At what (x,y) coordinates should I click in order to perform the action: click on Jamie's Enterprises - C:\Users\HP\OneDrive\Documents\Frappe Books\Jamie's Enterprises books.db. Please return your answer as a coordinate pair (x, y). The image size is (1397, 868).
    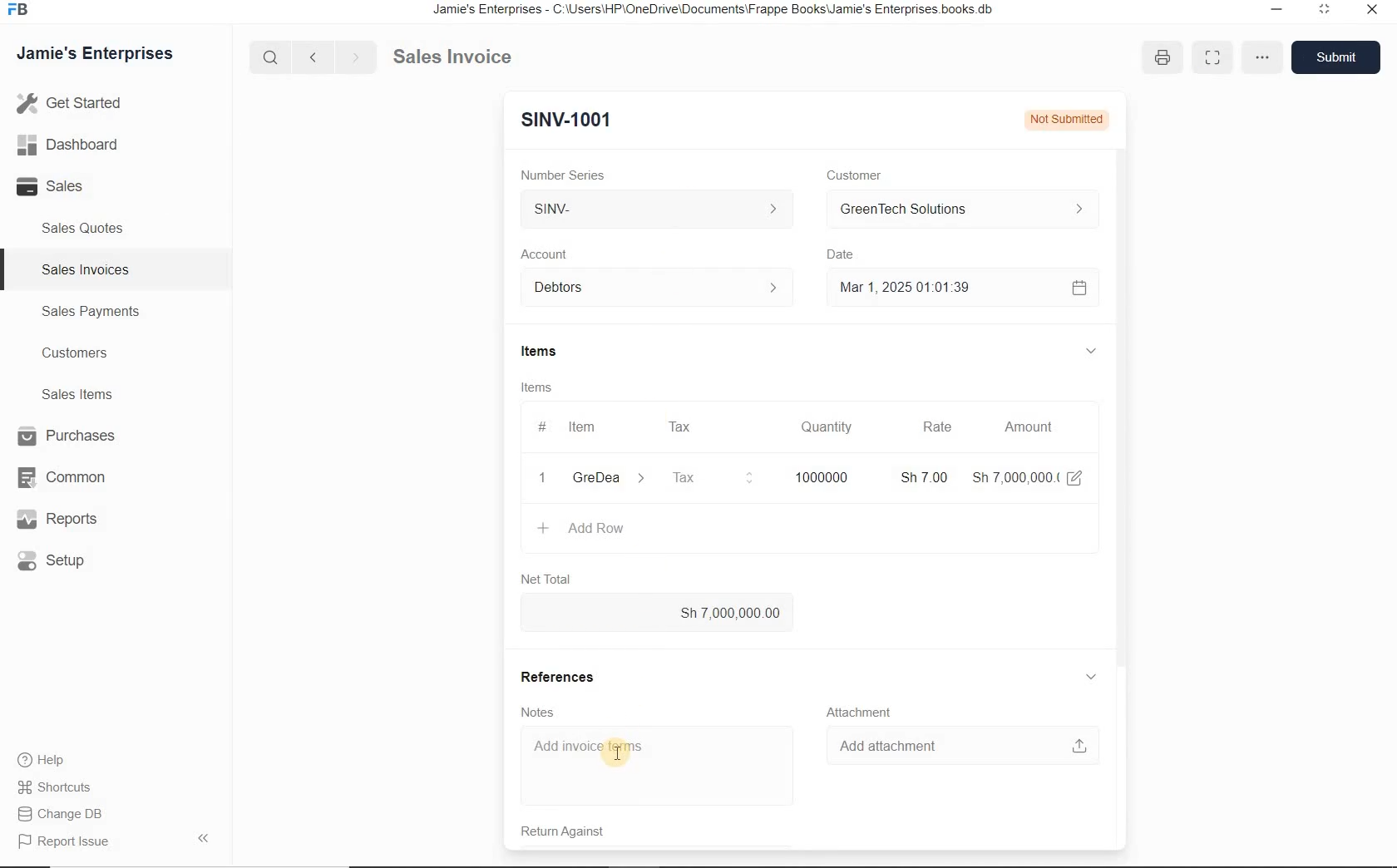
    Looking at the image, I should click on (718, 11).